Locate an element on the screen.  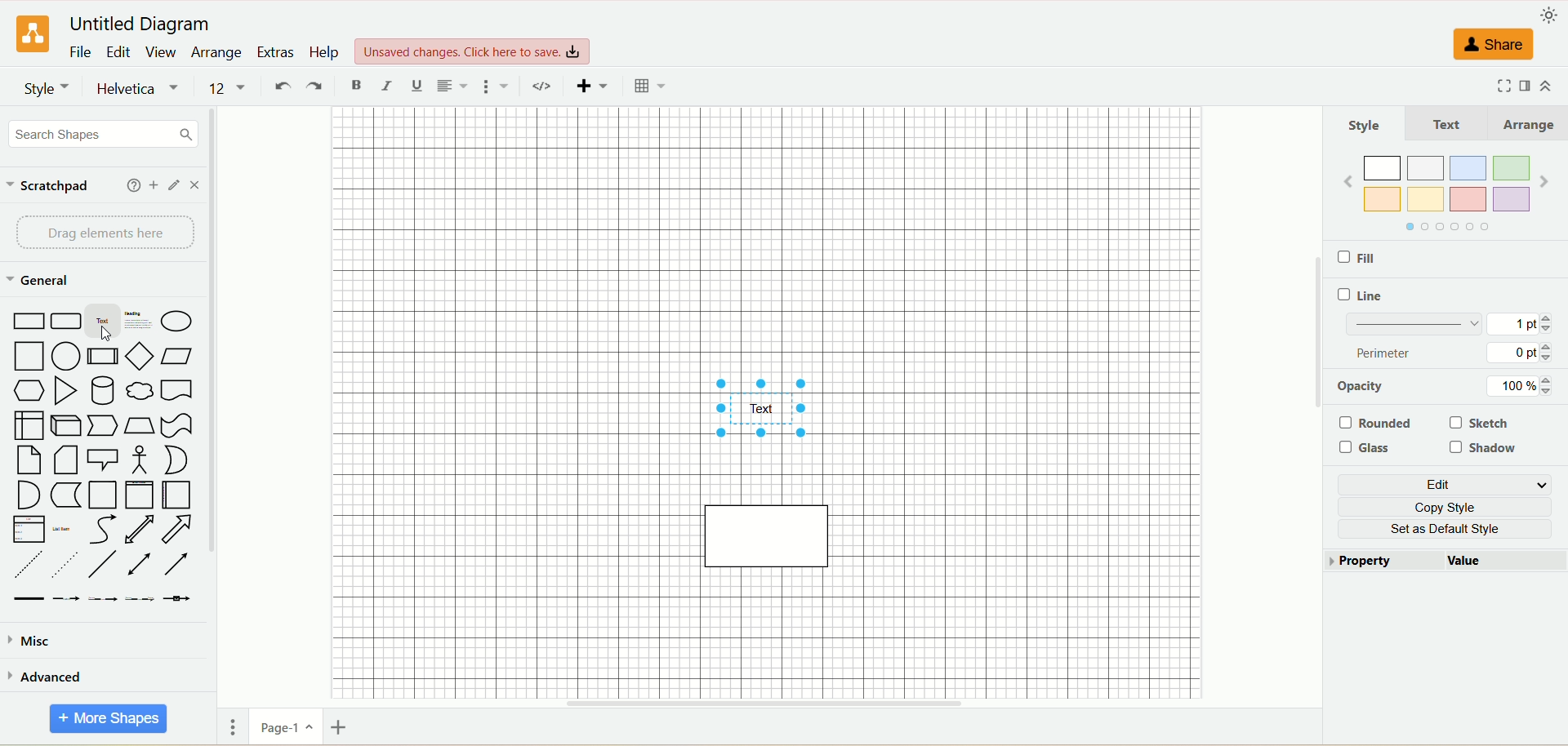
container is located at coordinates (102, 495).